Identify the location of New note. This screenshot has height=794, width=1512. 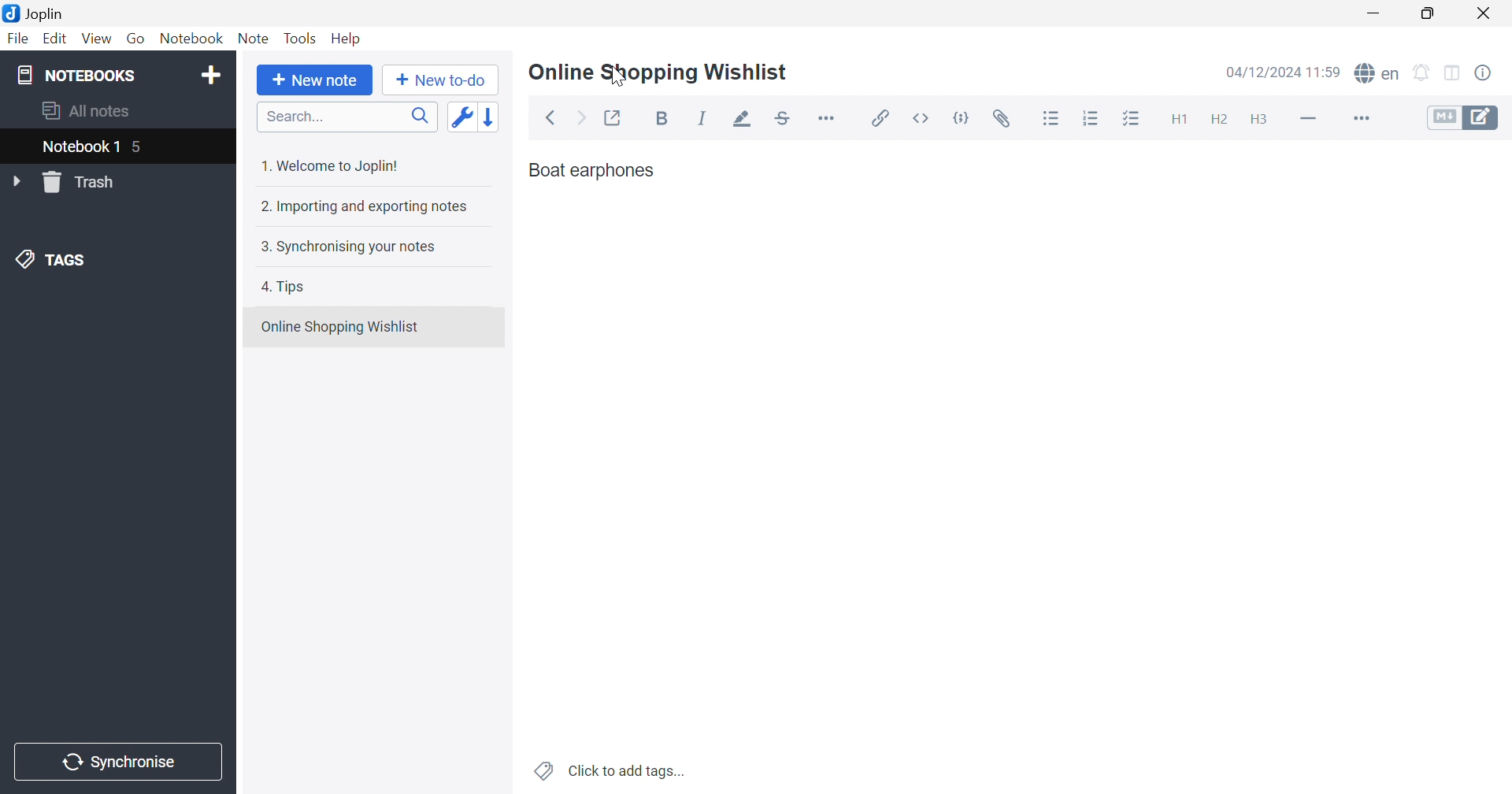
(319, 80).